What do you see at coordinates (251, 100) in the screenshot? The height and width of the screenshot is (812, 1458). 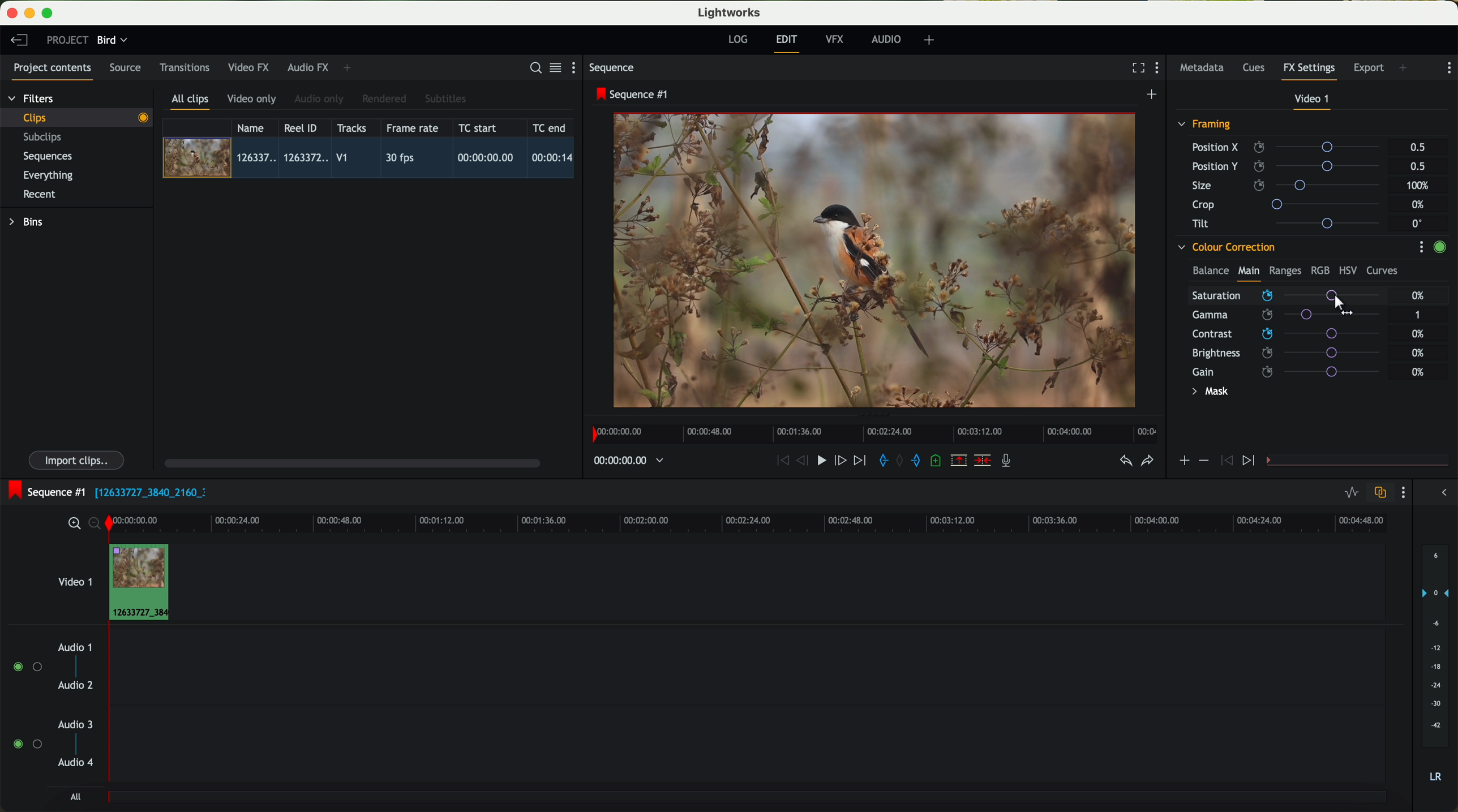 I see `video only` at bounding box center [251, 100].